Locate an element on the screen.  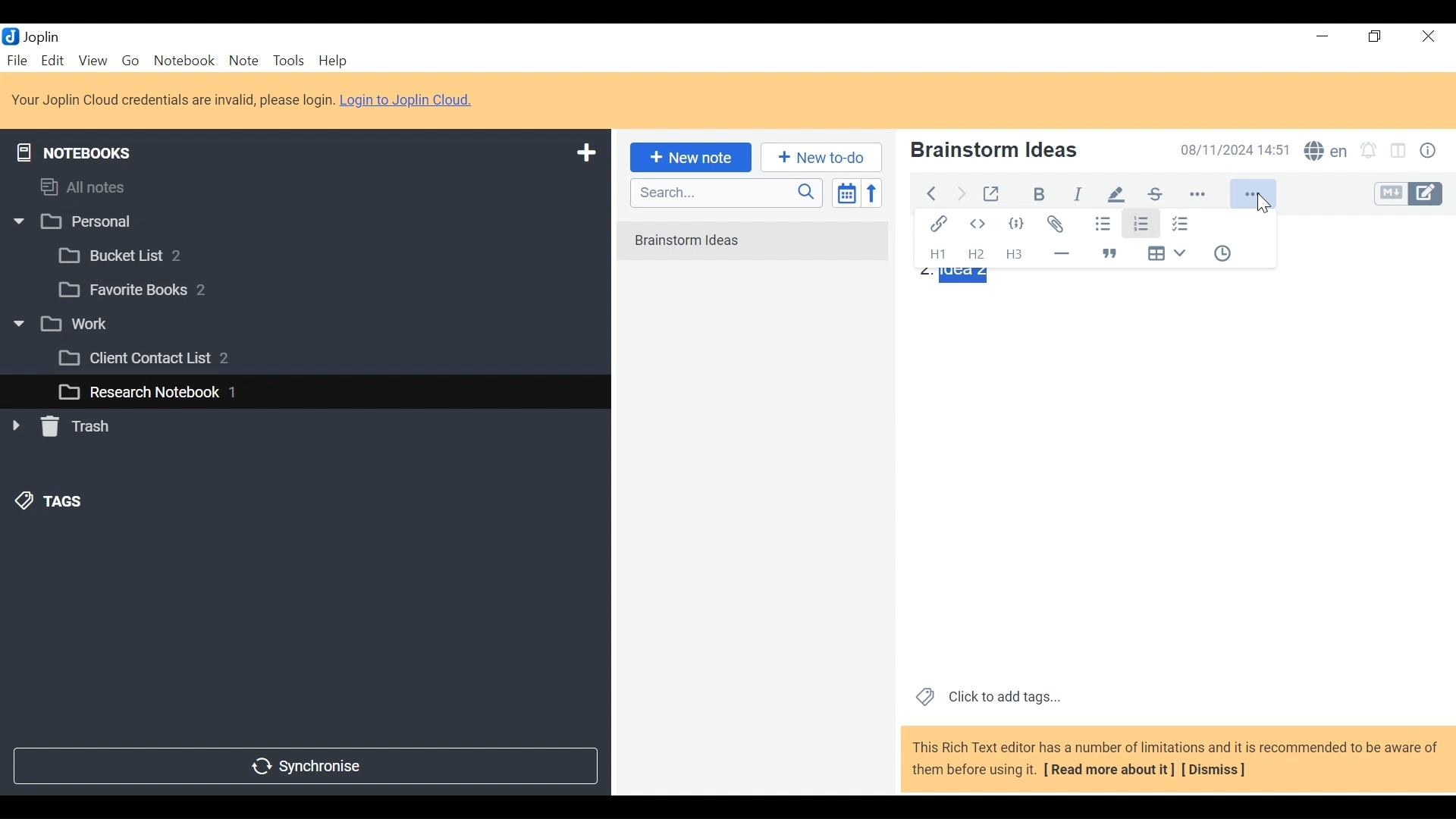
Add New Notebook is located at coordinates (585, 153).